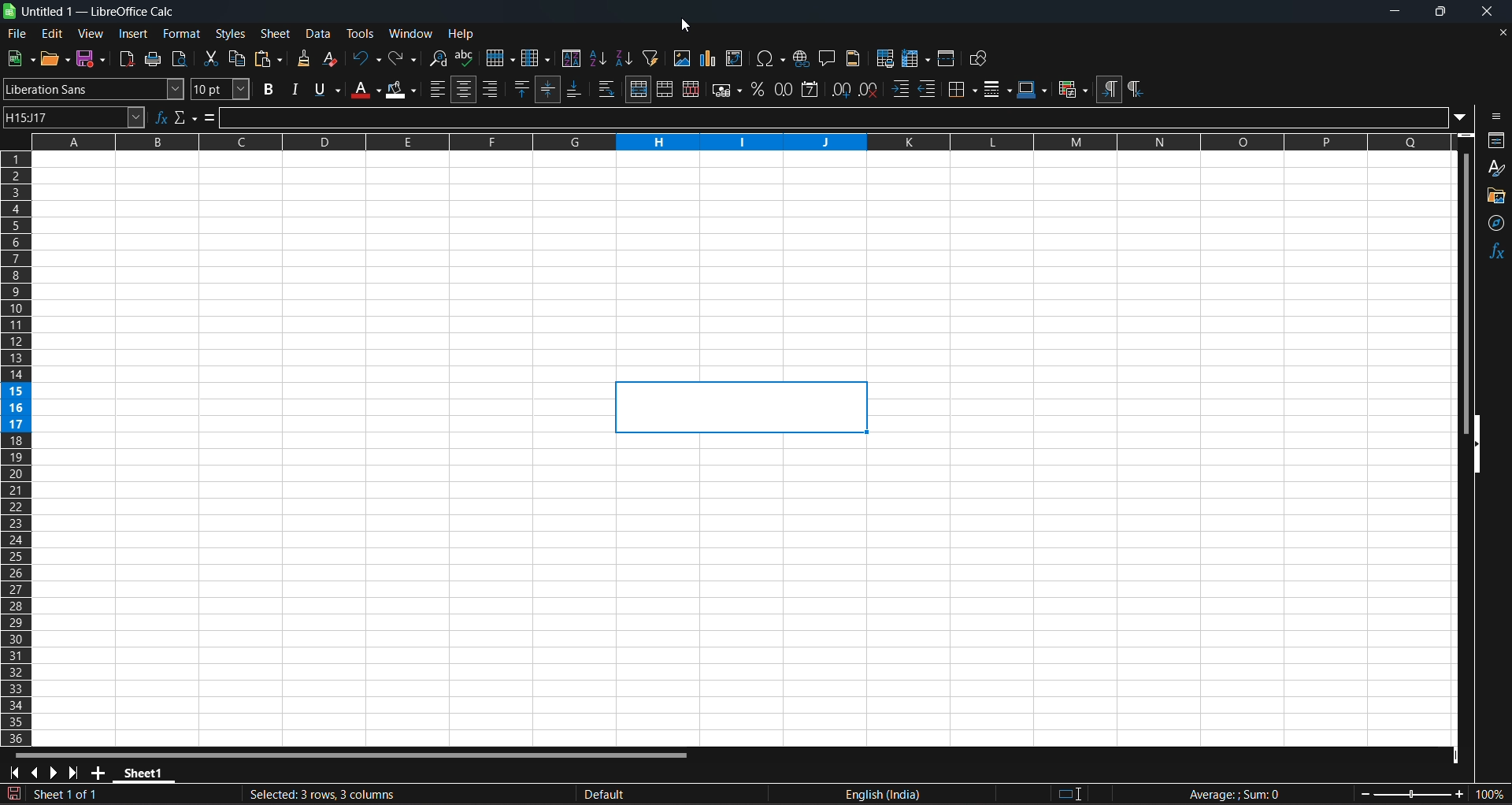  What do you see at coordinates (76, 772) in the screenshot?
I see `scroll to last sheet` at bounding box center [76, 772].